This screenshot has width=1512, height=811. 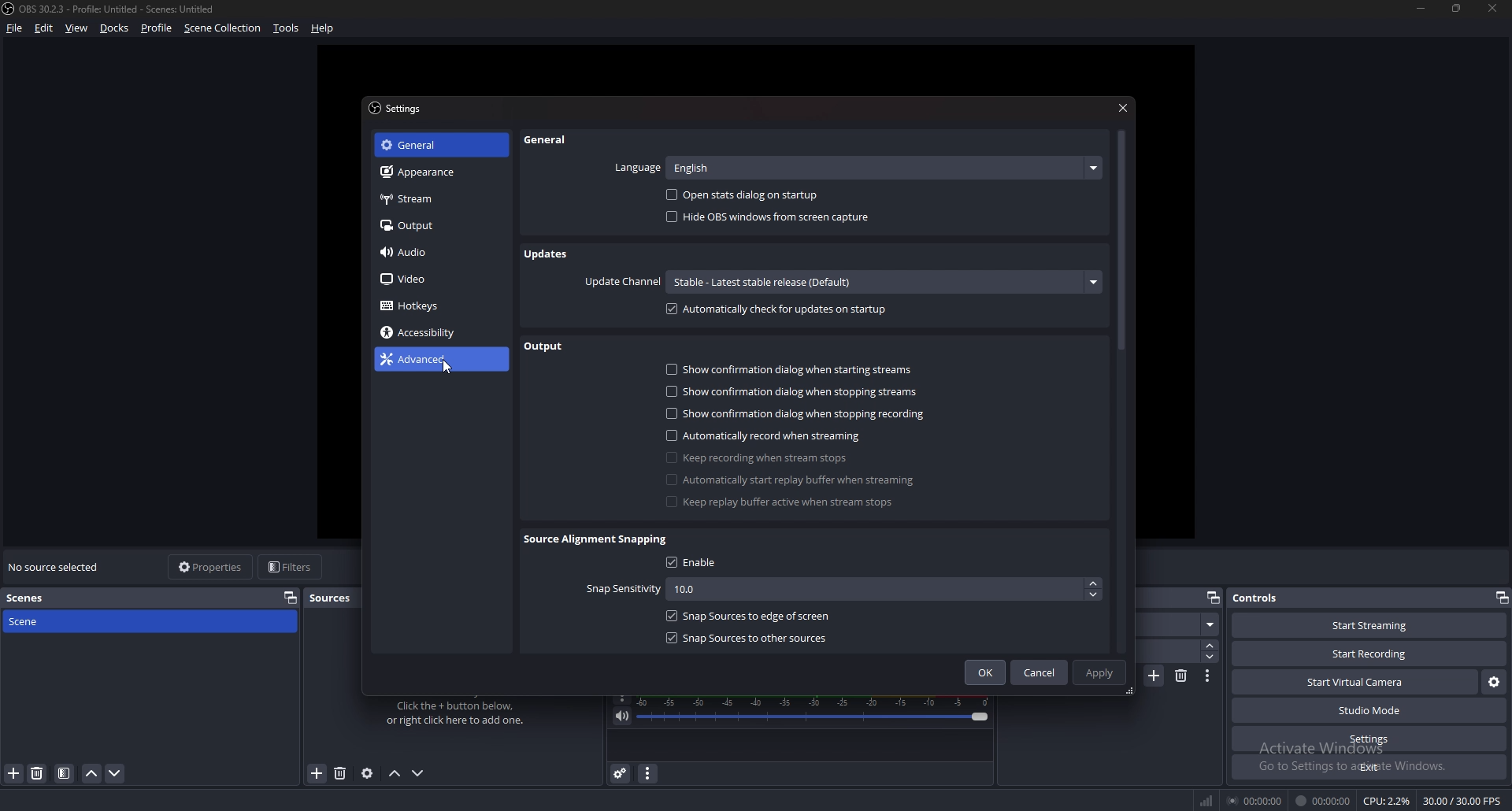 I want to click on transition properties, so click(x=1208, y=676).